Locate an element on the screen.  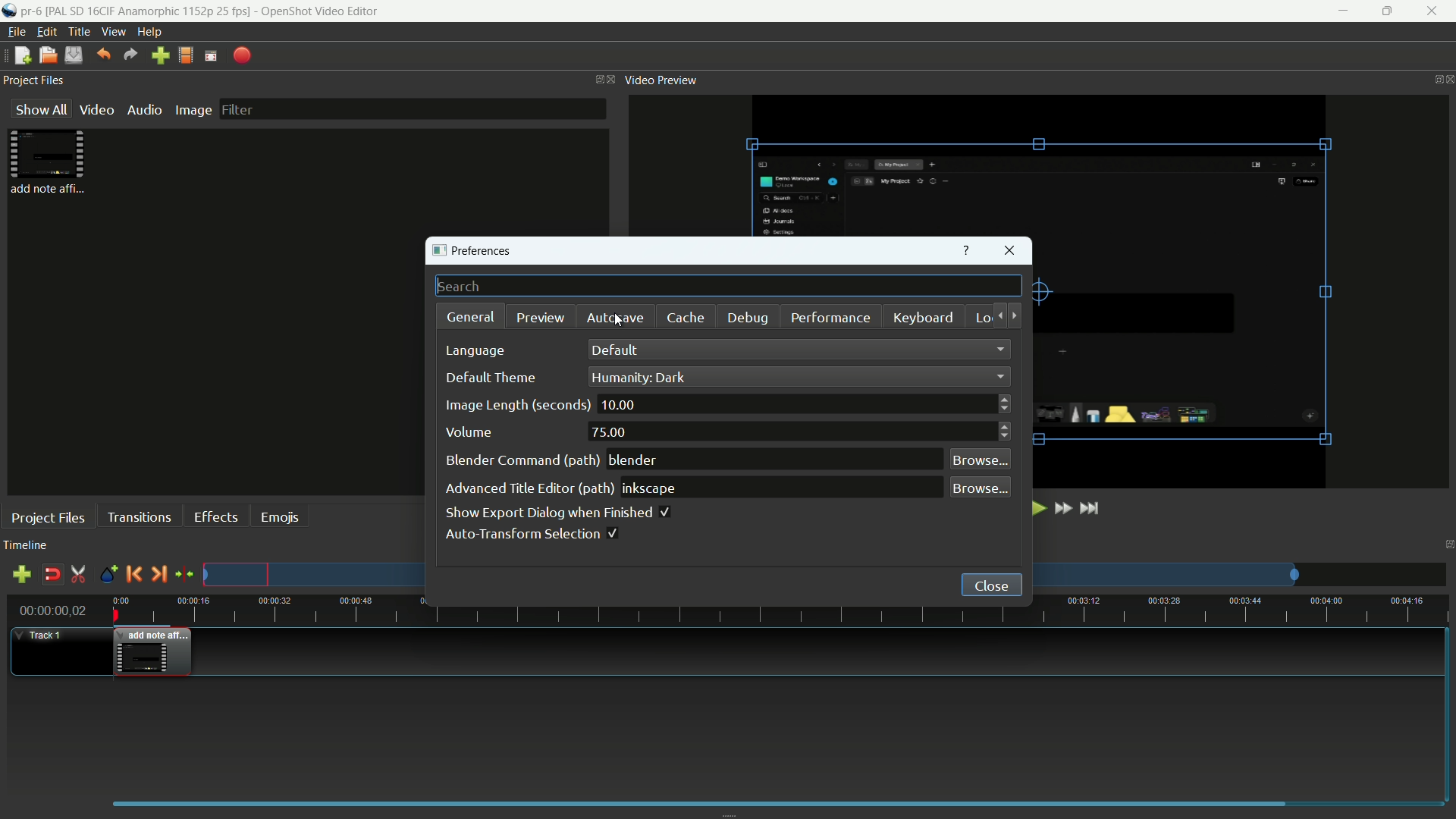
preferences is located at coordinates (471, 251).